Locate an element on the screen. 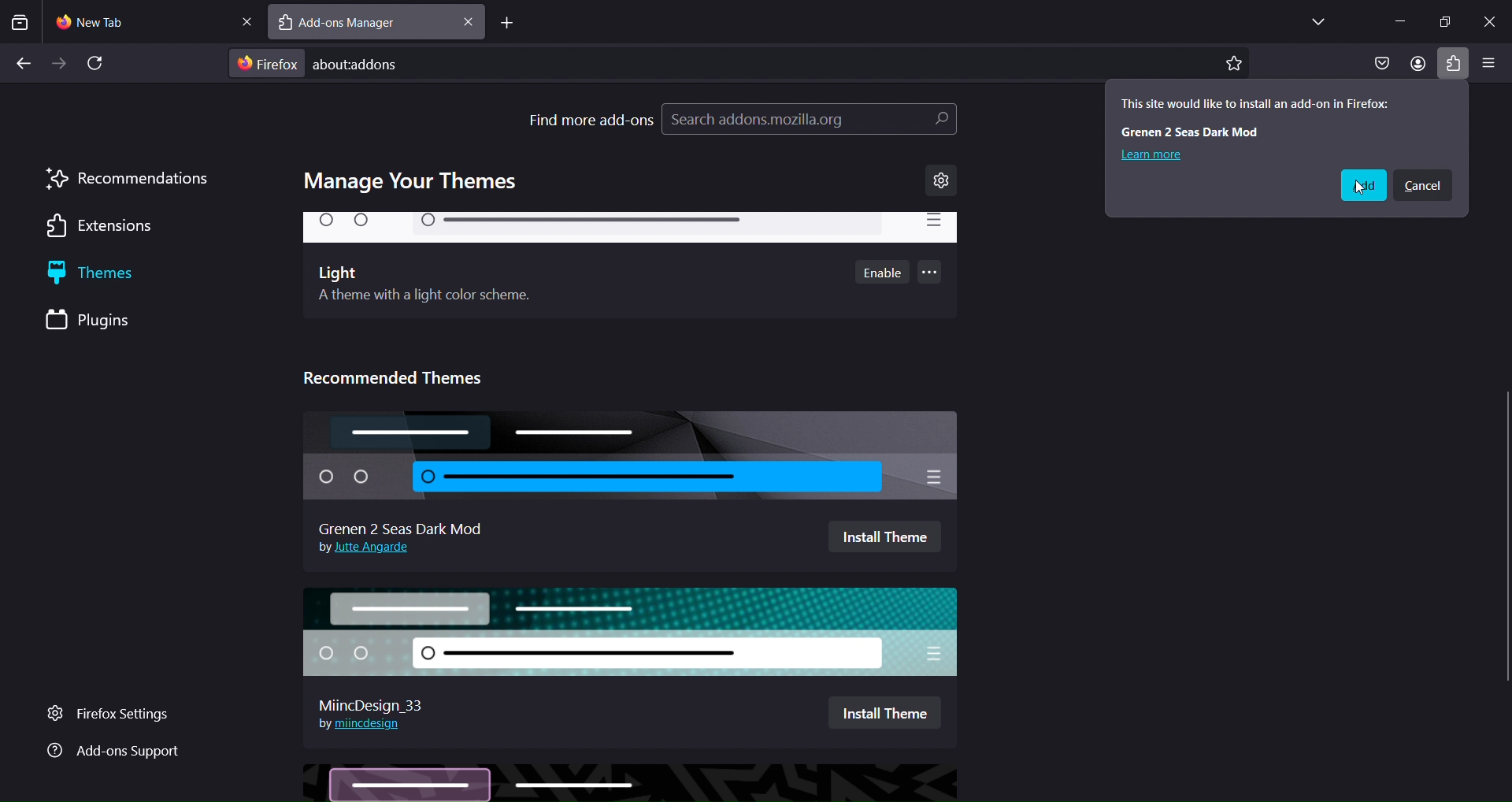 This screenshot has width=1512, height=802. cancel is located at coordinates (1423, 186).